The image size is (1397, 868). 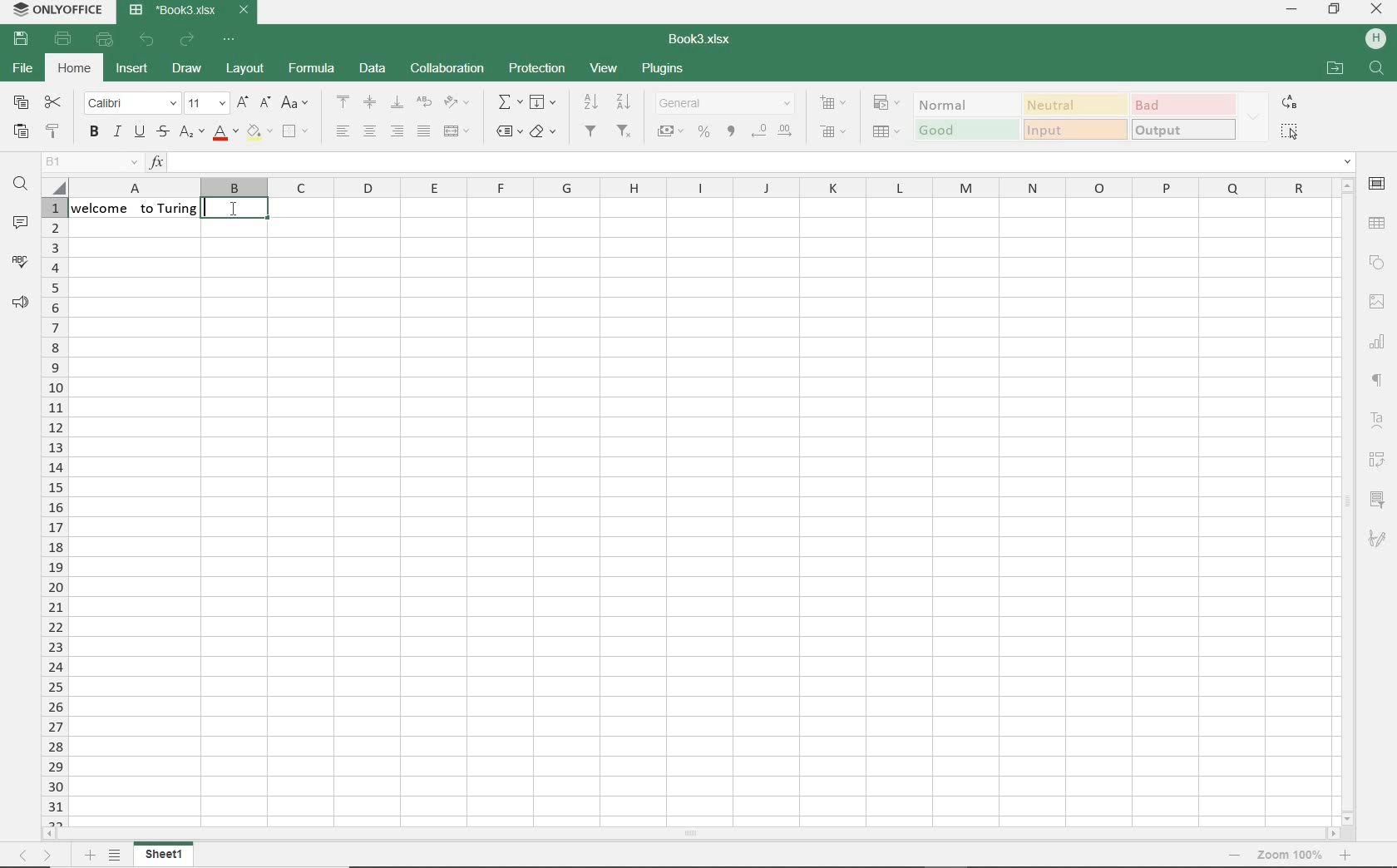 I want to click on file, so click(x=23, y=70).